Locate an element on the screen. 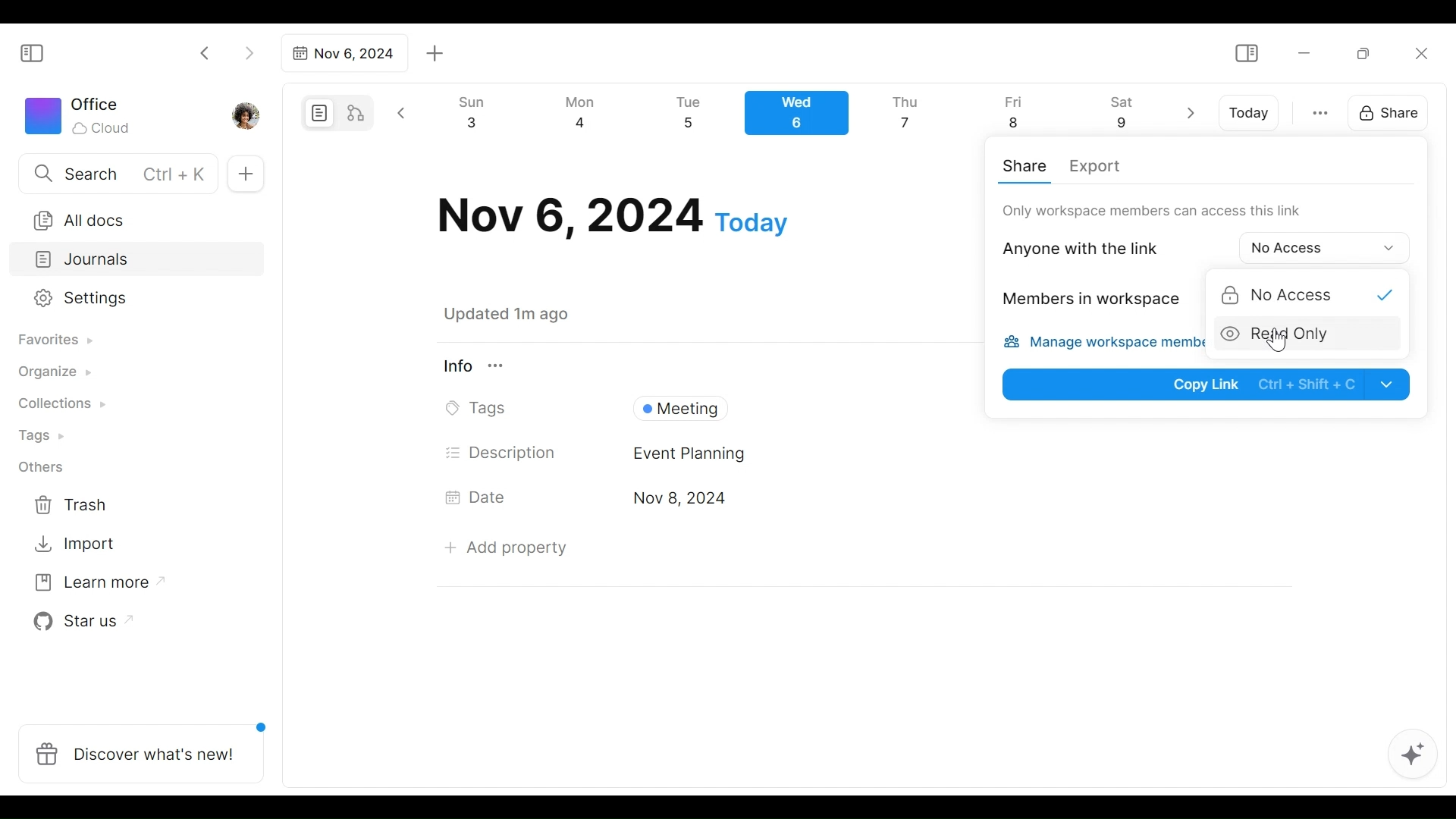 The width and height of the screenshot is (1456, 819). All documents is located at coordinates (131, 218).